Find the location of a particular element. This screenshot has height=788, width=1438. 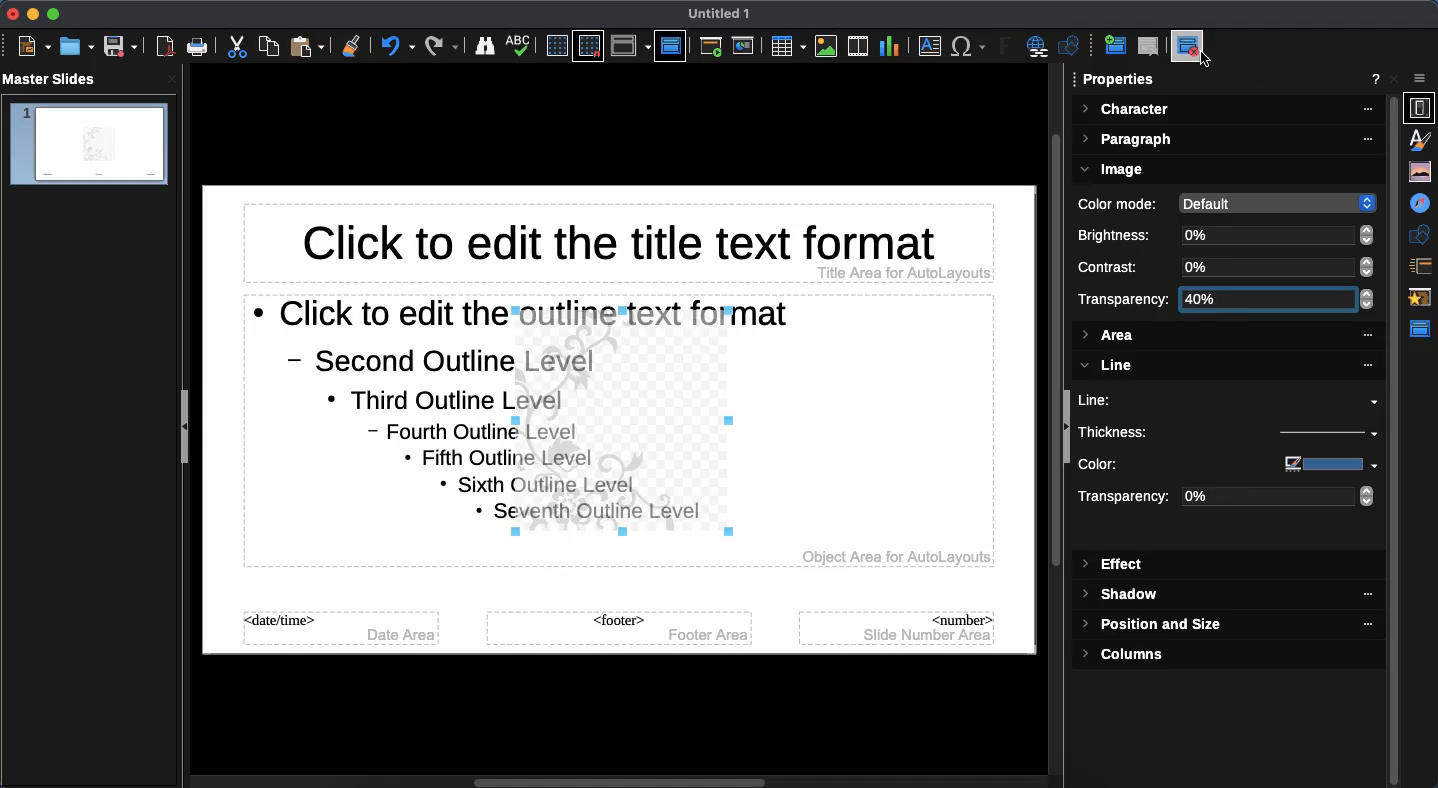

Delete master is located at coordinates (1149, 46).